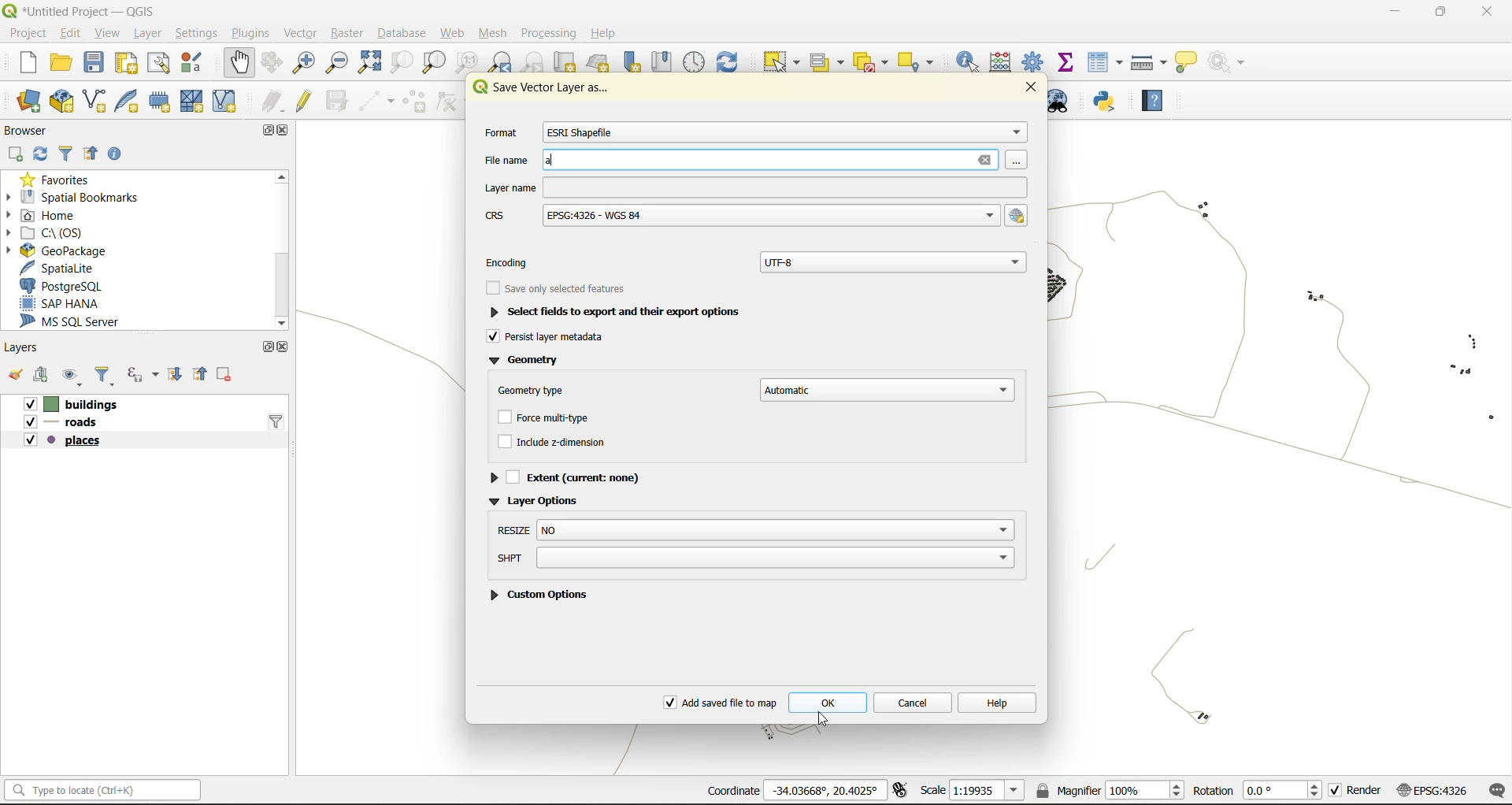  What do you see at coordinates (57, 267) in the screenshot?
I see `spatialite` at bounding box center [57, 267].